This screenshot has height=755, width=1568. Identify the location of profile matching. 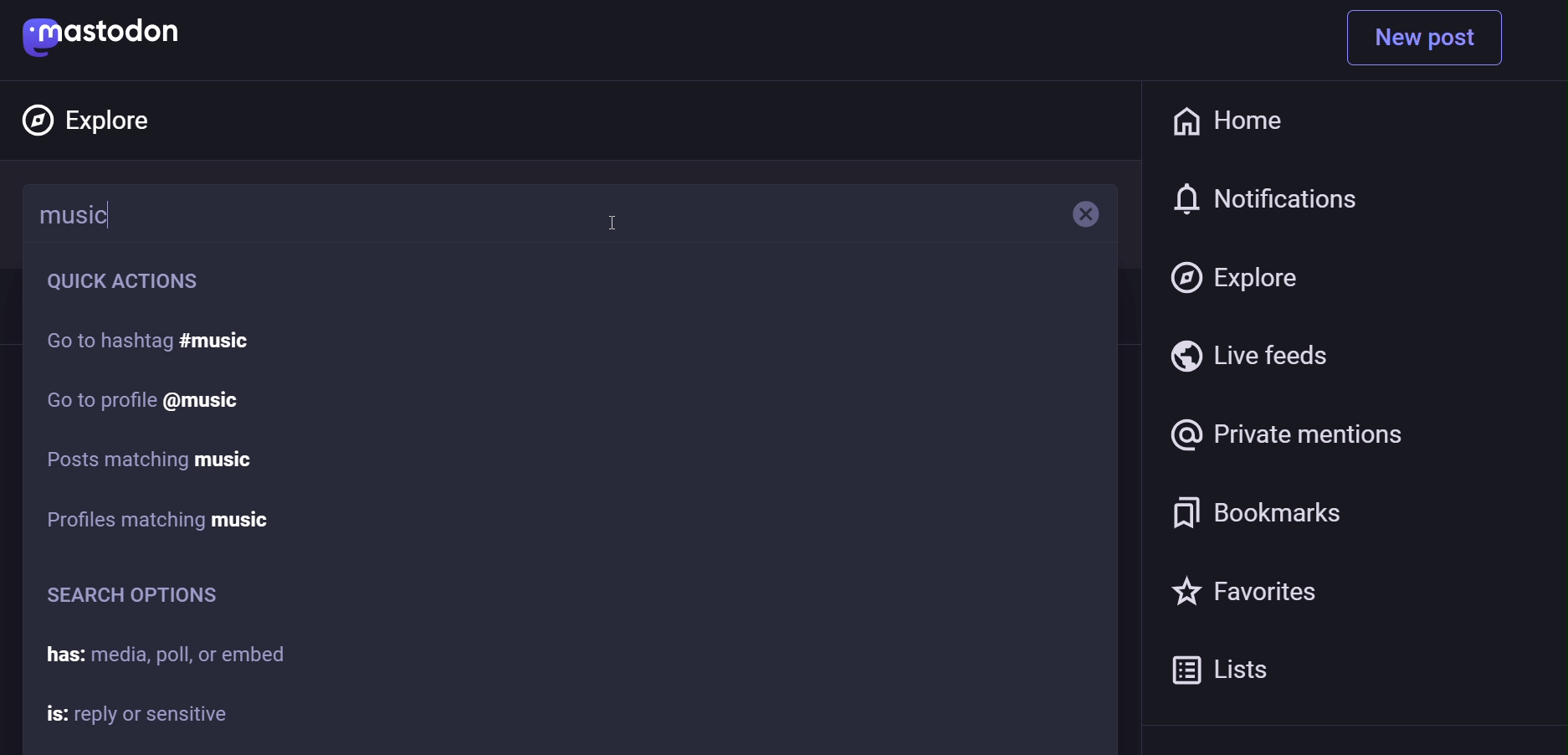
(163, 521).